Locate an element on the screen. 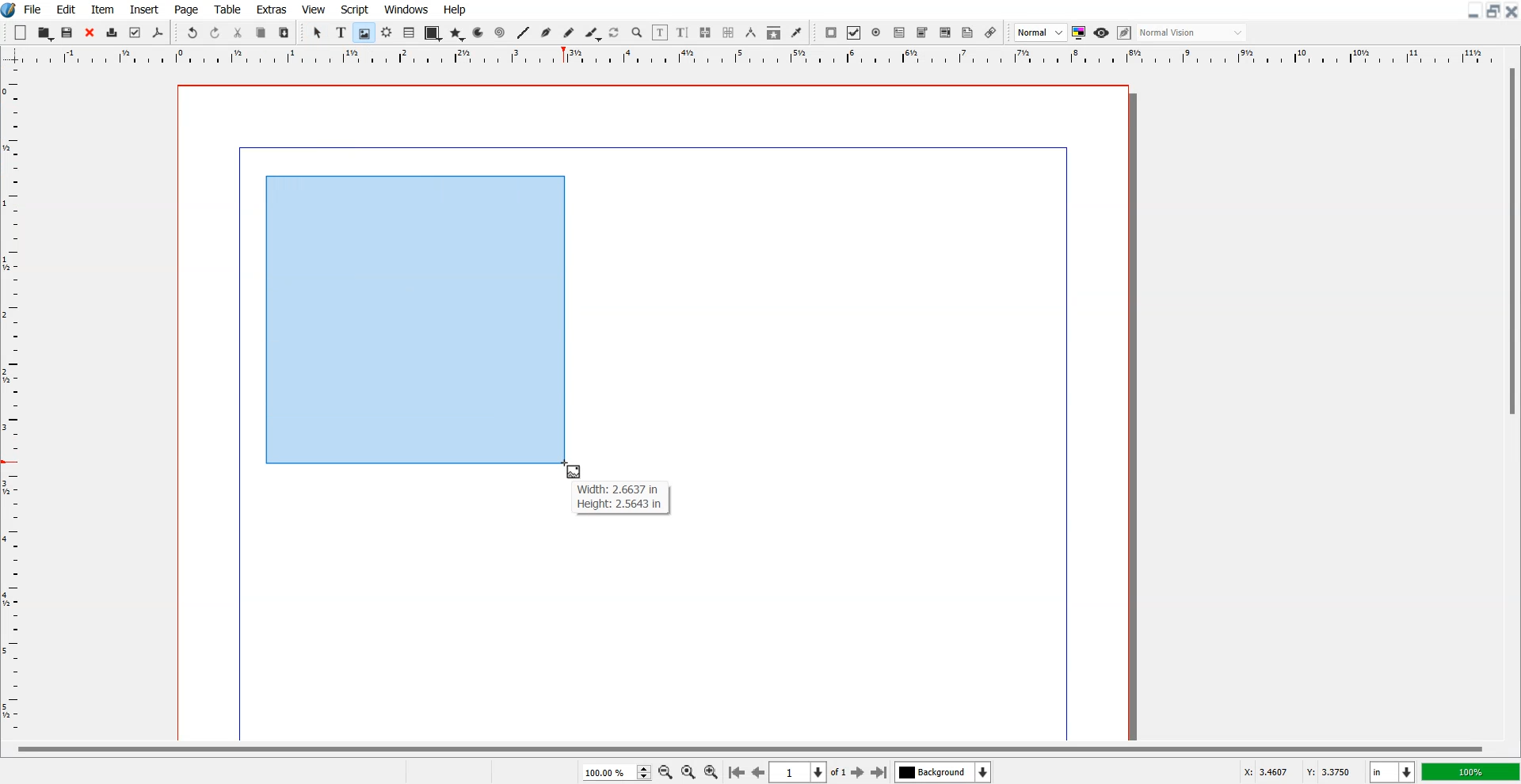 The image size is (1521, 784). Go to last Page is located at coordinates (879, 772).